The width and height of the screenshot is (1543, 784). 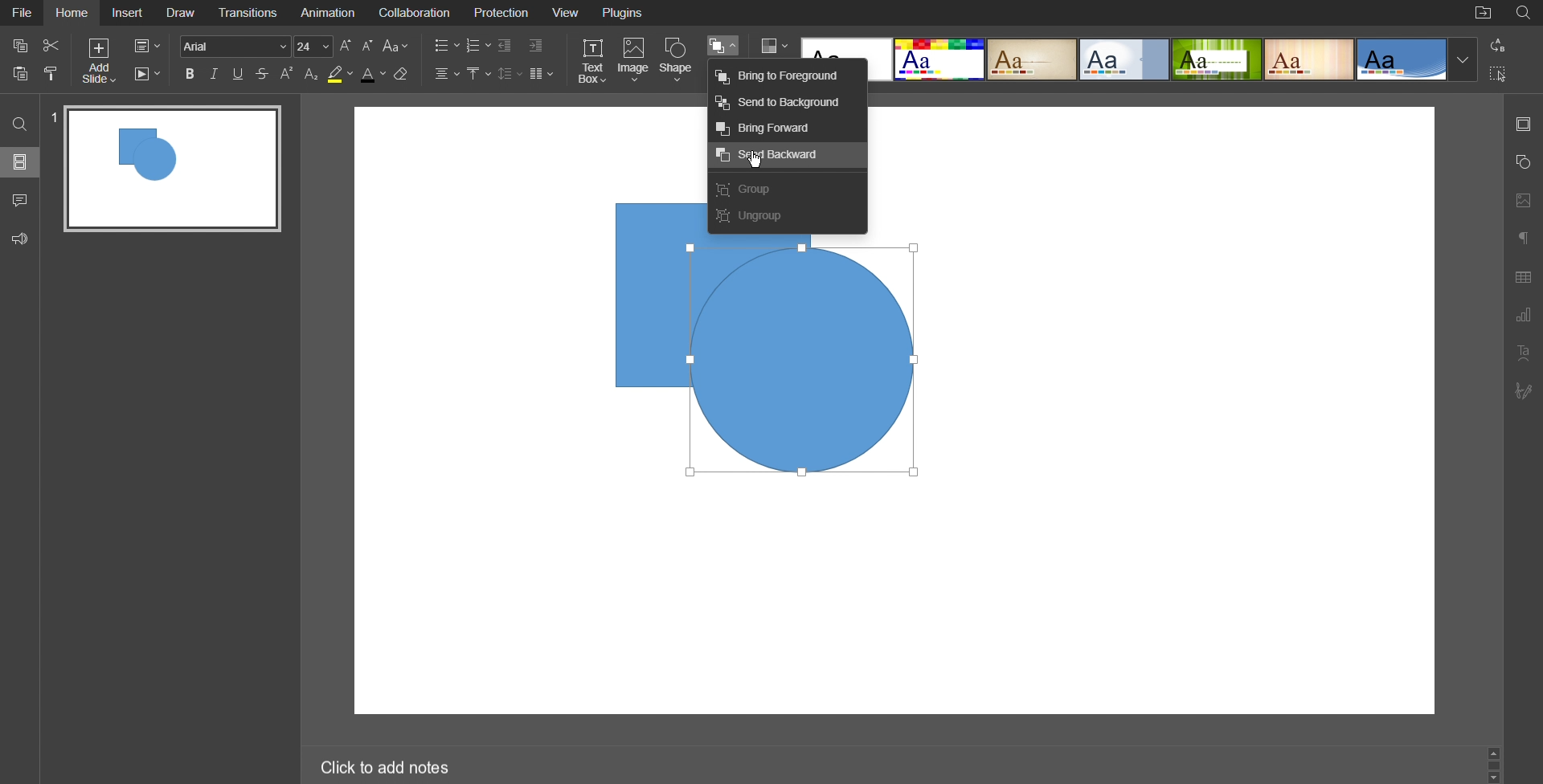 I want to click on Search, so click(x=1525, y=14).